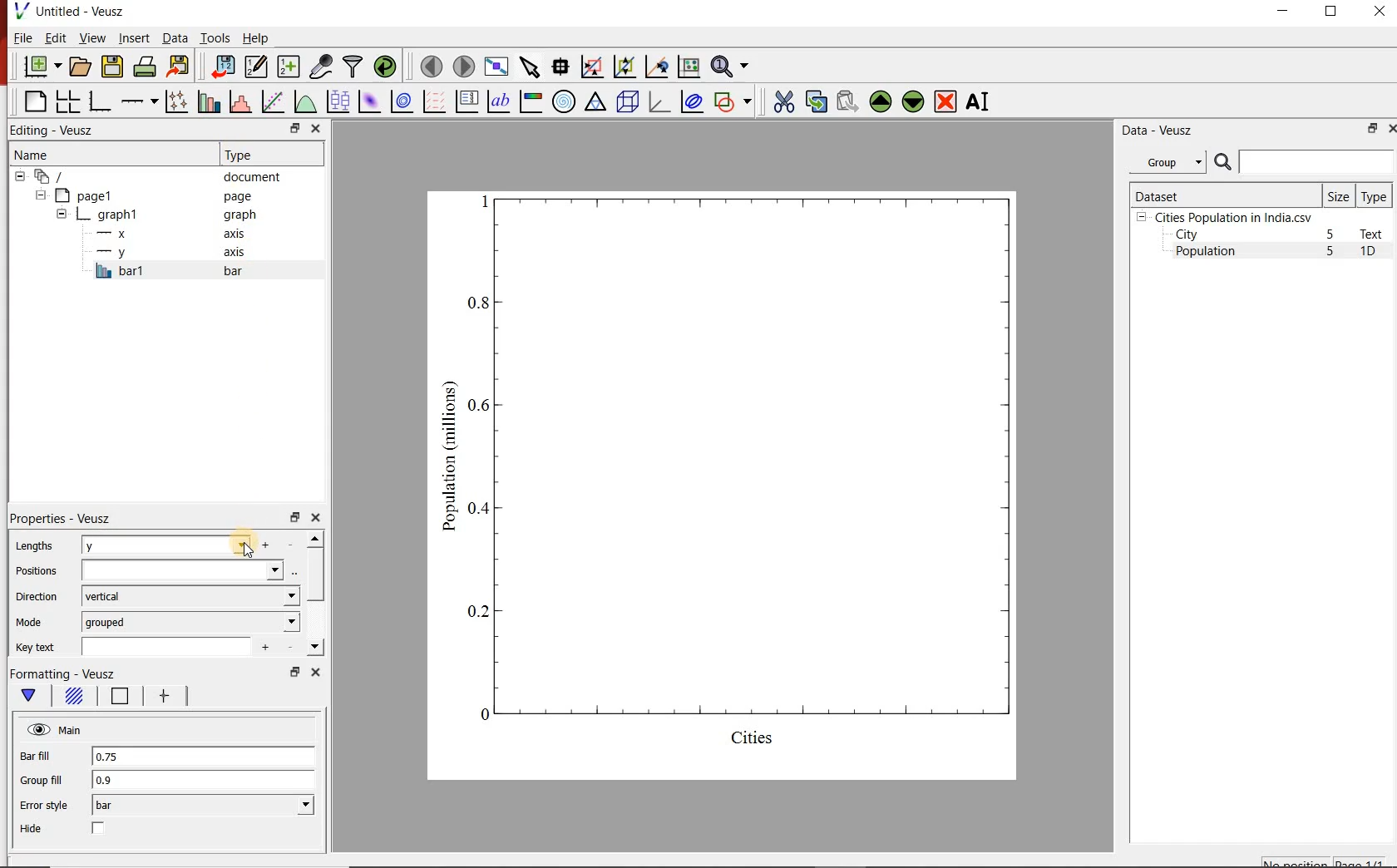  What do you see at coordinates (947, 101) in the screenshot?
I see `remove the selected widgets` at bounding box center [947, 101].